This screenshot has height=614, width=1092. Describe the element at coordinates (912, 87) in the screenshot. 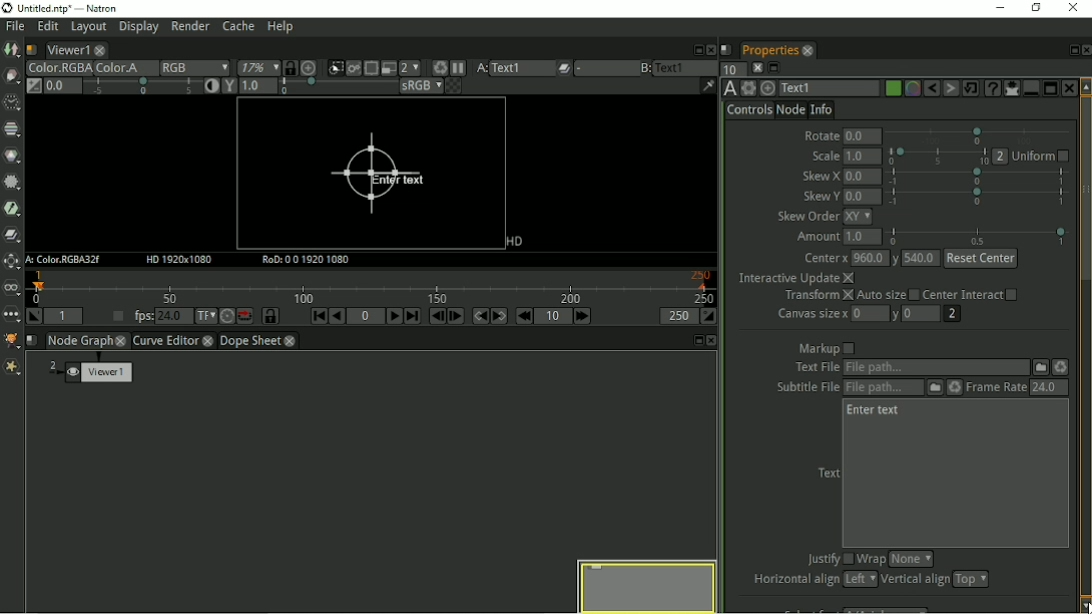

I see `Overlay color` at that location.